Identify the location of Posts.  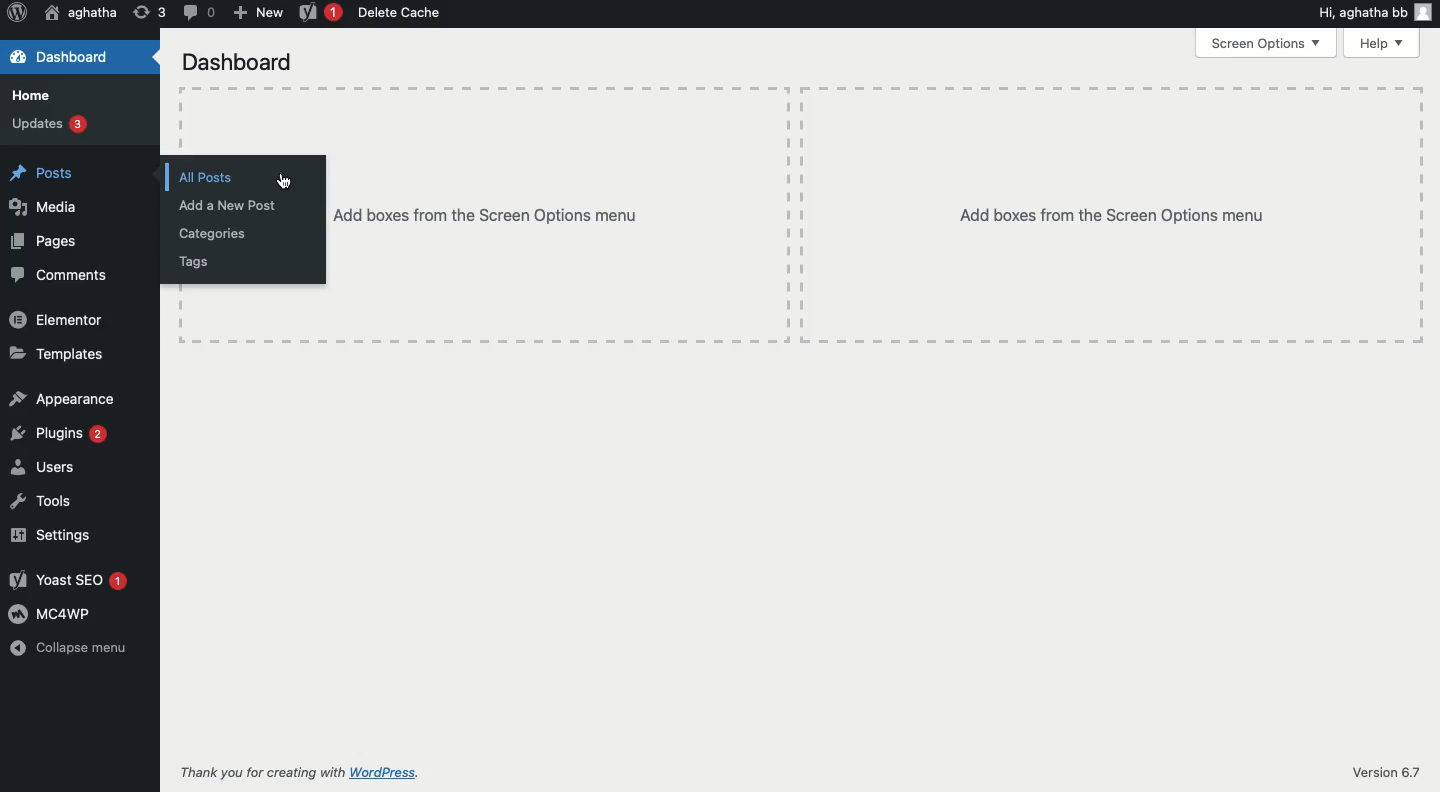
(39, 173).